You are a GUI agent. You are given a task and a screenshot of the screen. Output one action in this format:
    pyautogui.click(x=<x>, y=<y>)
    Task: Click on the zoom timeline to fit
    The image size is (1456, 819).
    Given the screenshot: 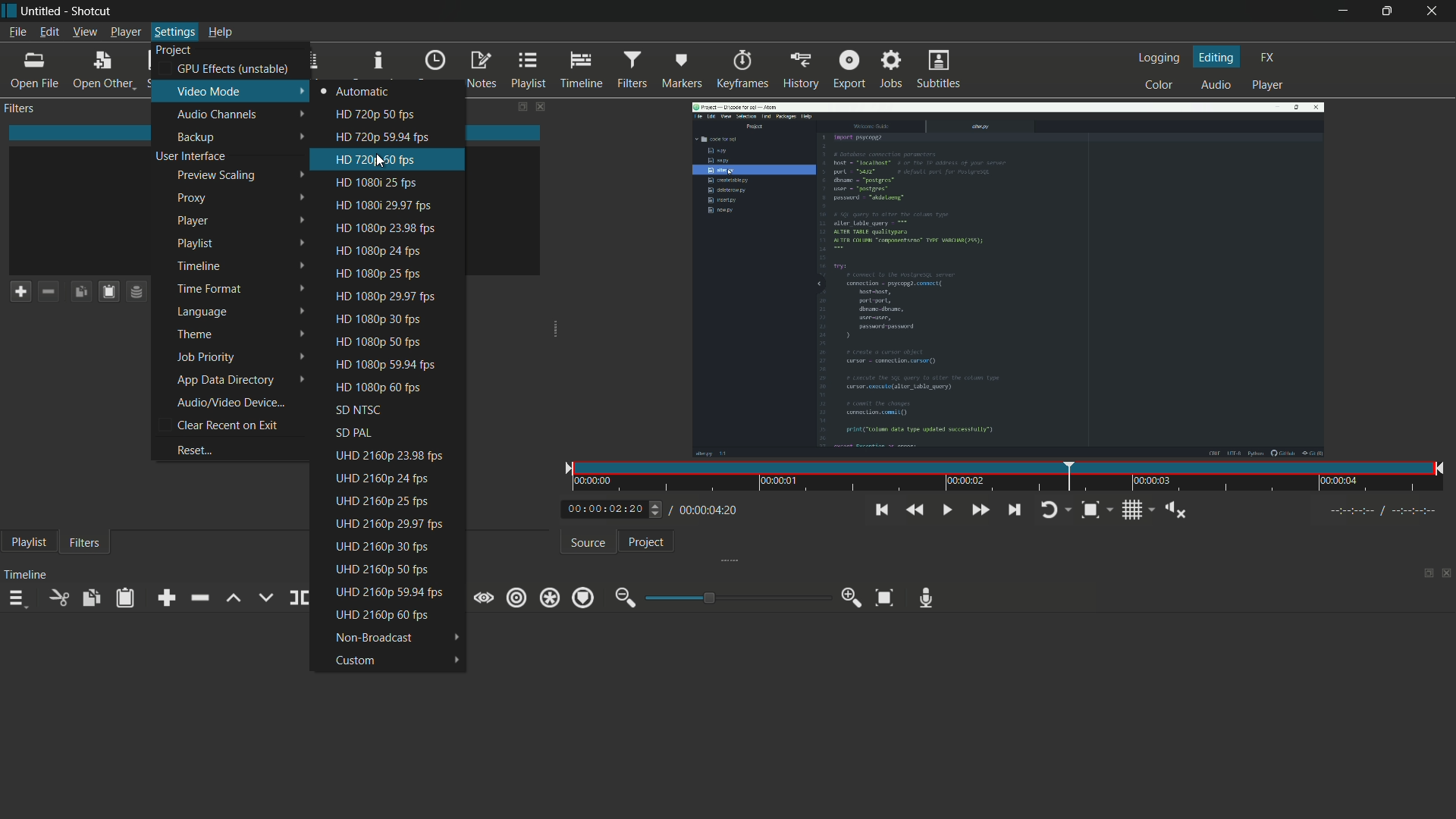 What is the action you would take?
    pyautogui.click(x=884, y=598)
    